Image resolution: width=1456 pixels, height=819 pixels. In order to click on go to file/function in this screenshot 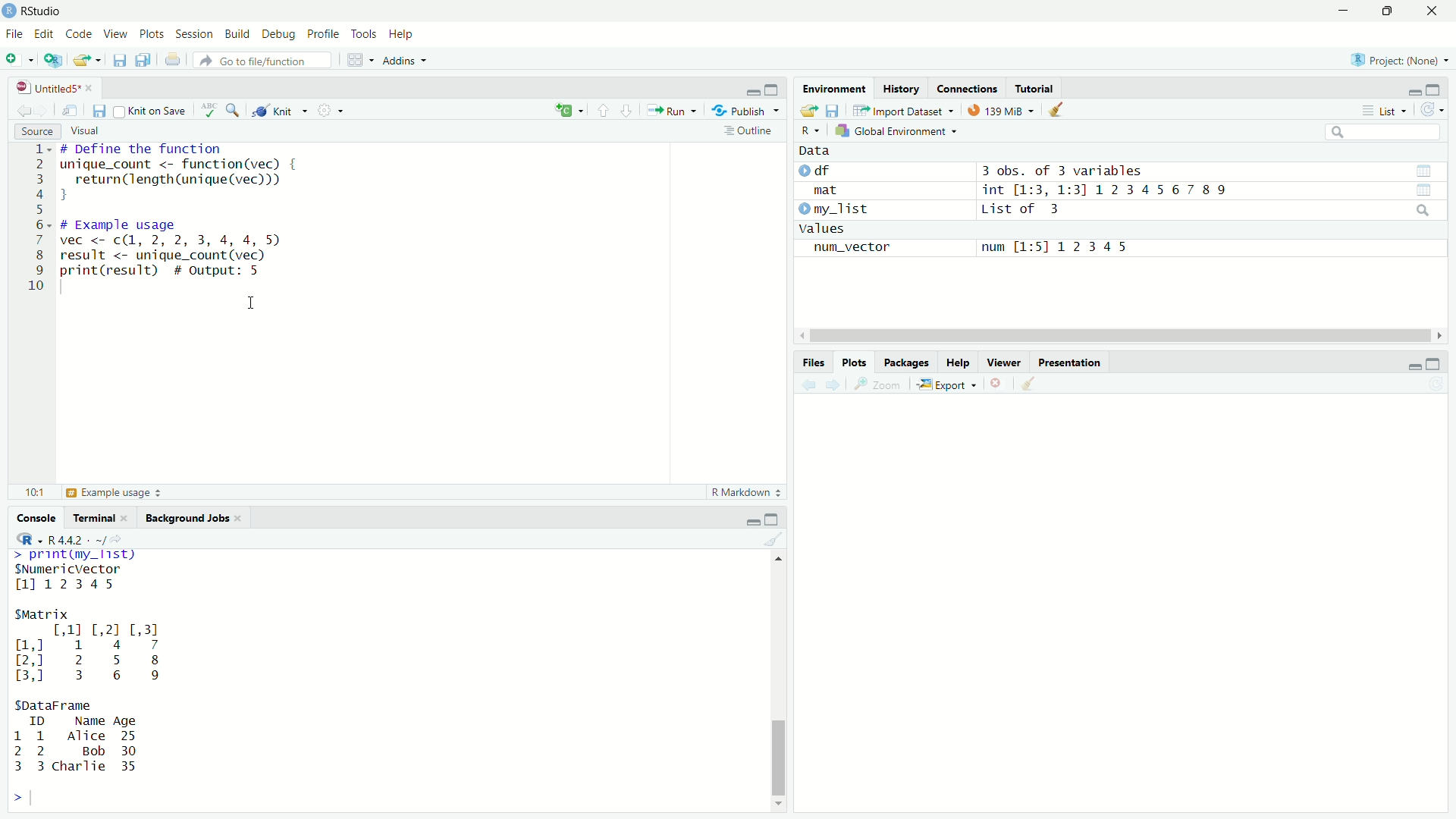, I will do `click(263, 60)`.